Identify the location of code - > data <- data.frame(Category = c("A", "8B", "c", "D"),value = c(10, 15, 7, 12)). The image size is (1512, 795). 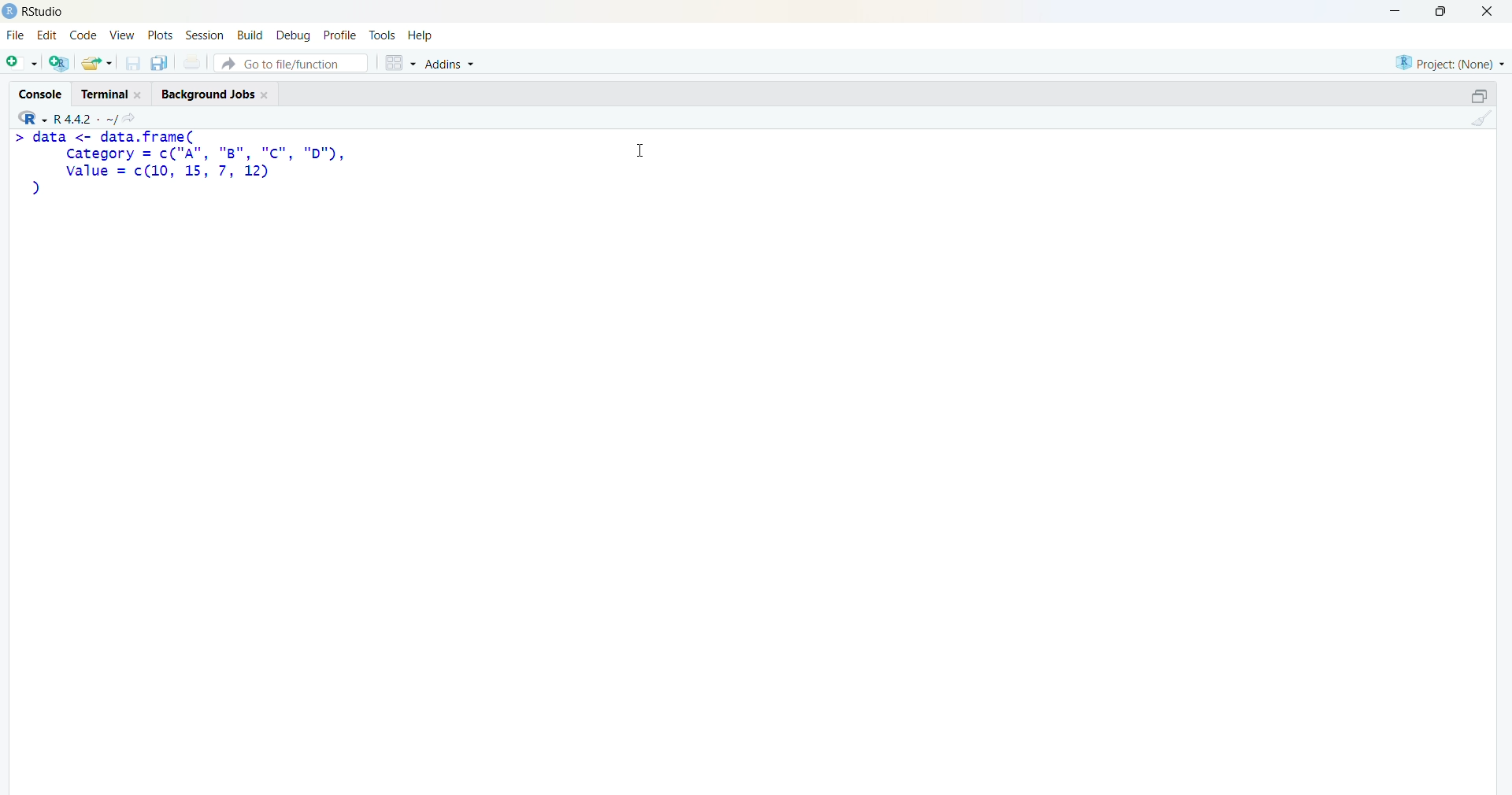
(195, 164).